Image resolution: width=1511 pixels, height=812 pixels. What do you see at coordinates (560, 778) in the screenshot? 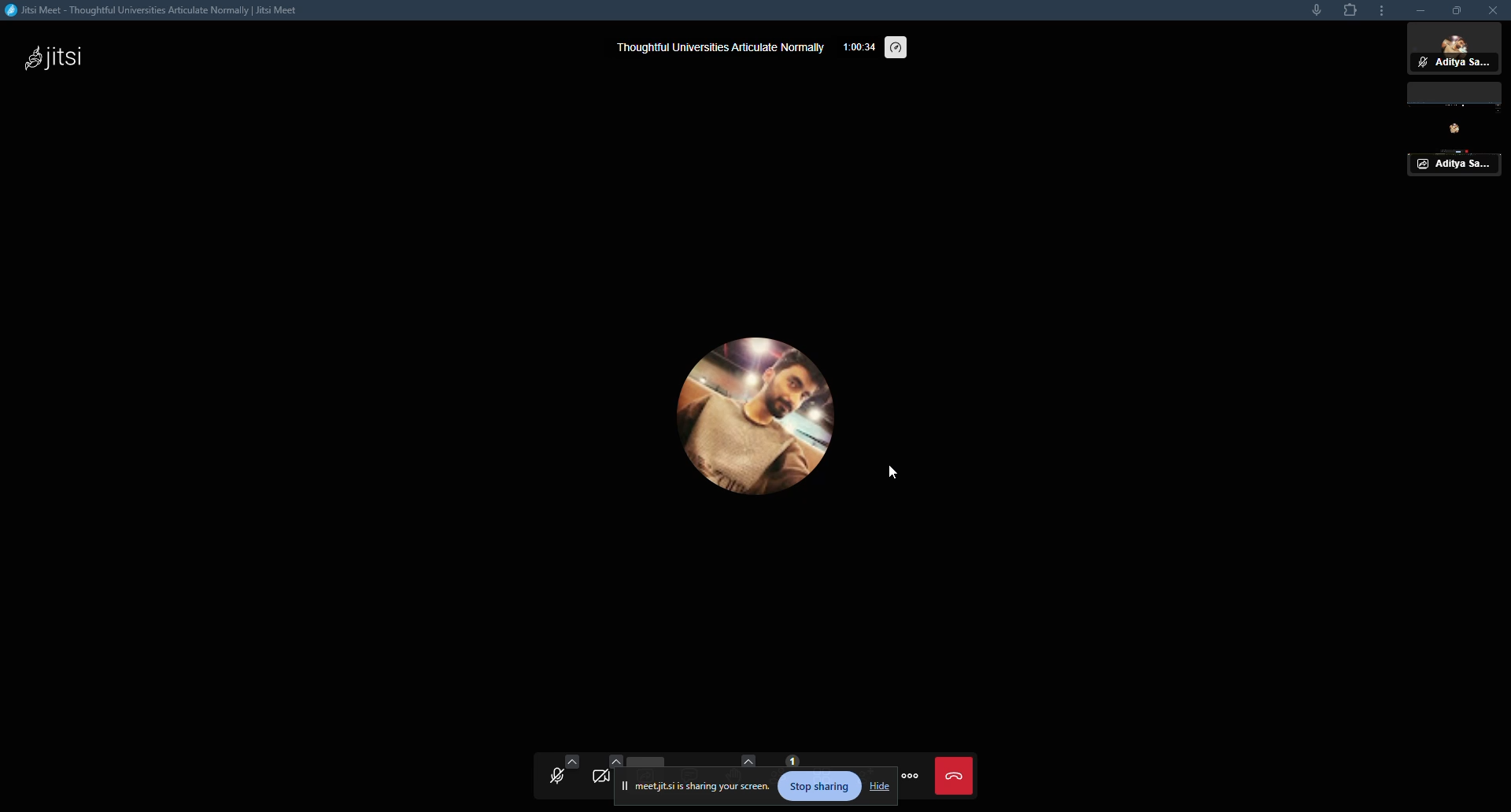
I see `mic off` at bounding box center [560, 778].